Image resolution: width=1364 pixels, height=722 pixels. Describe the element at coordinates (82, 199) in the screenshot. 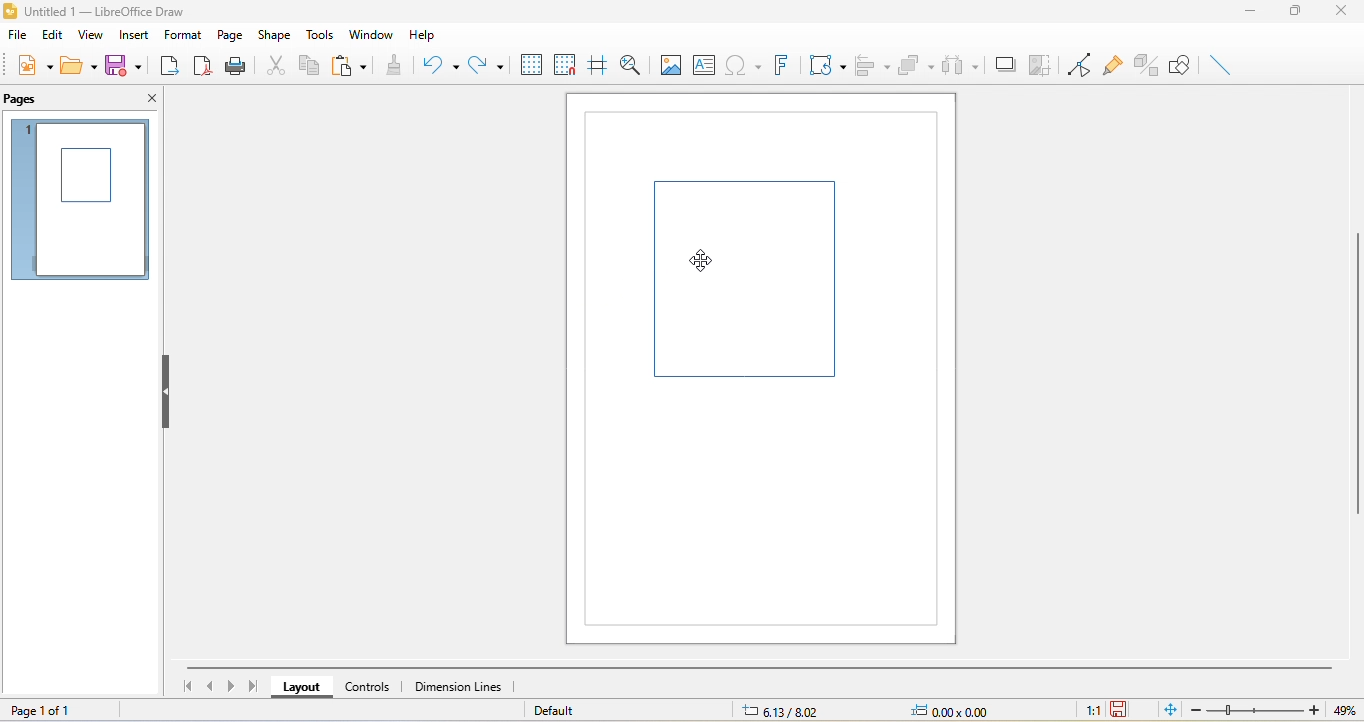

I see `page 1` at that location.